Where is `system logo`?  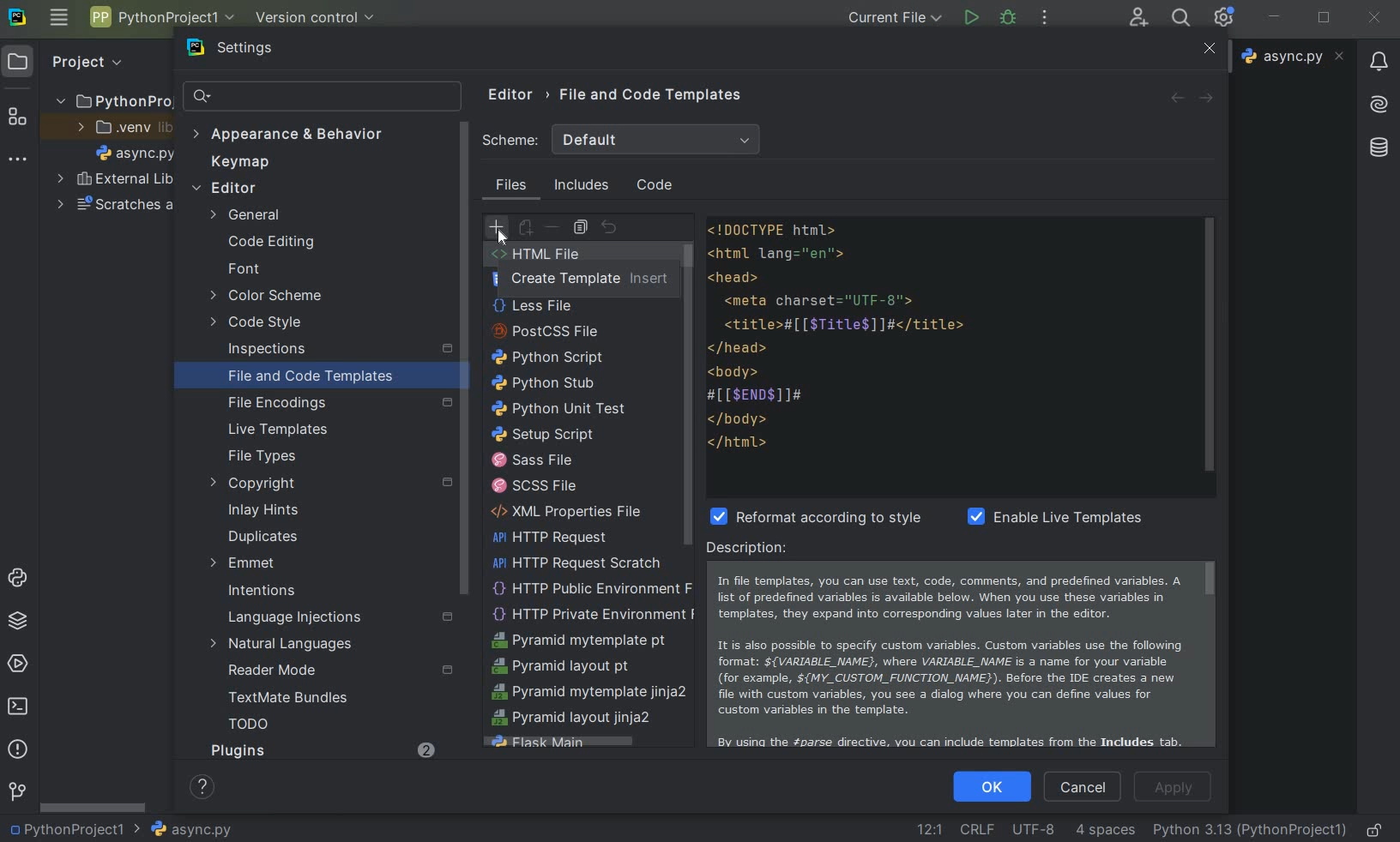 system logo is located at coordinates (17, 19).